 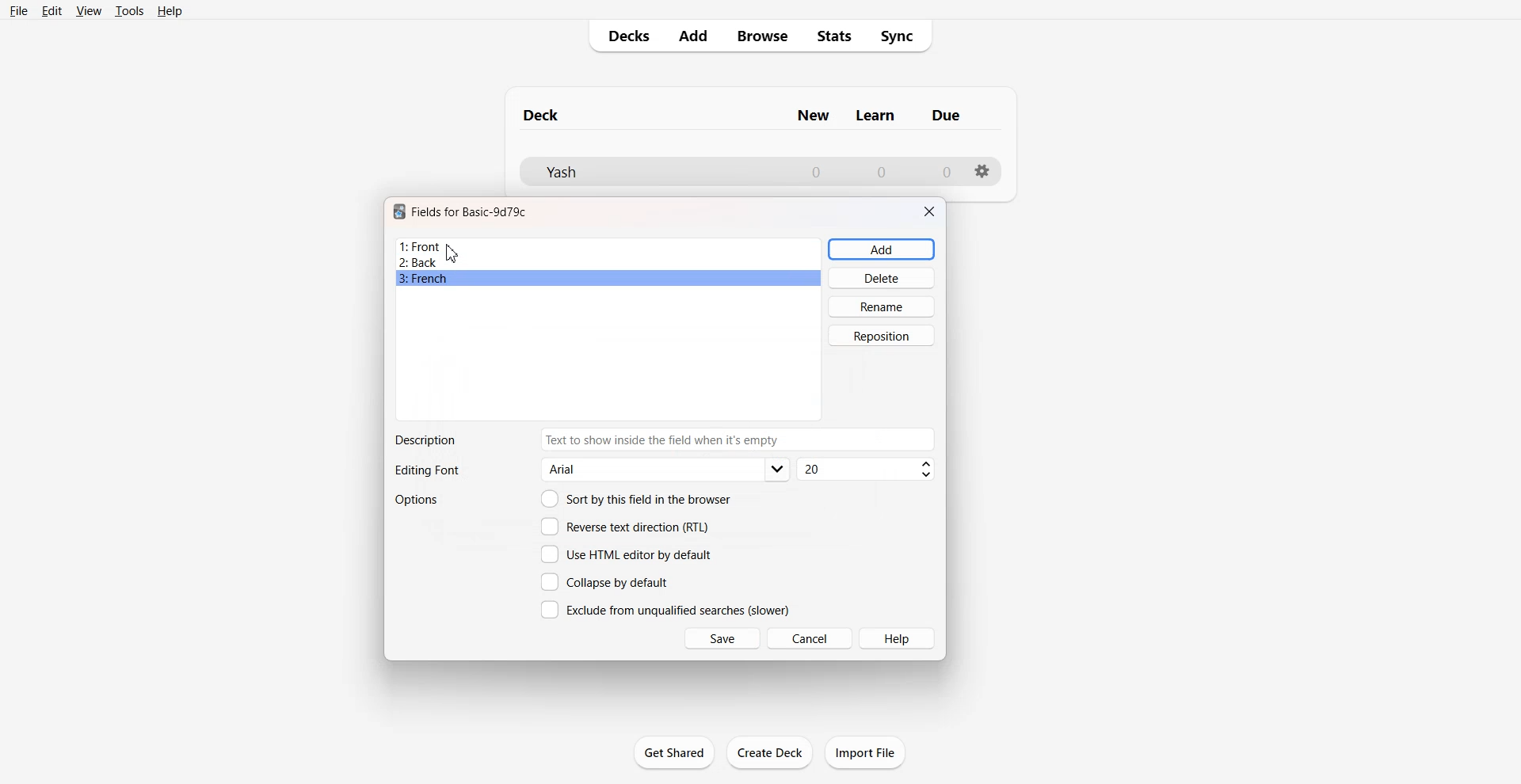 What do you see at coordinates (608, 262) in the screenshot?
I see `Back` at bounding box center [608, 262].